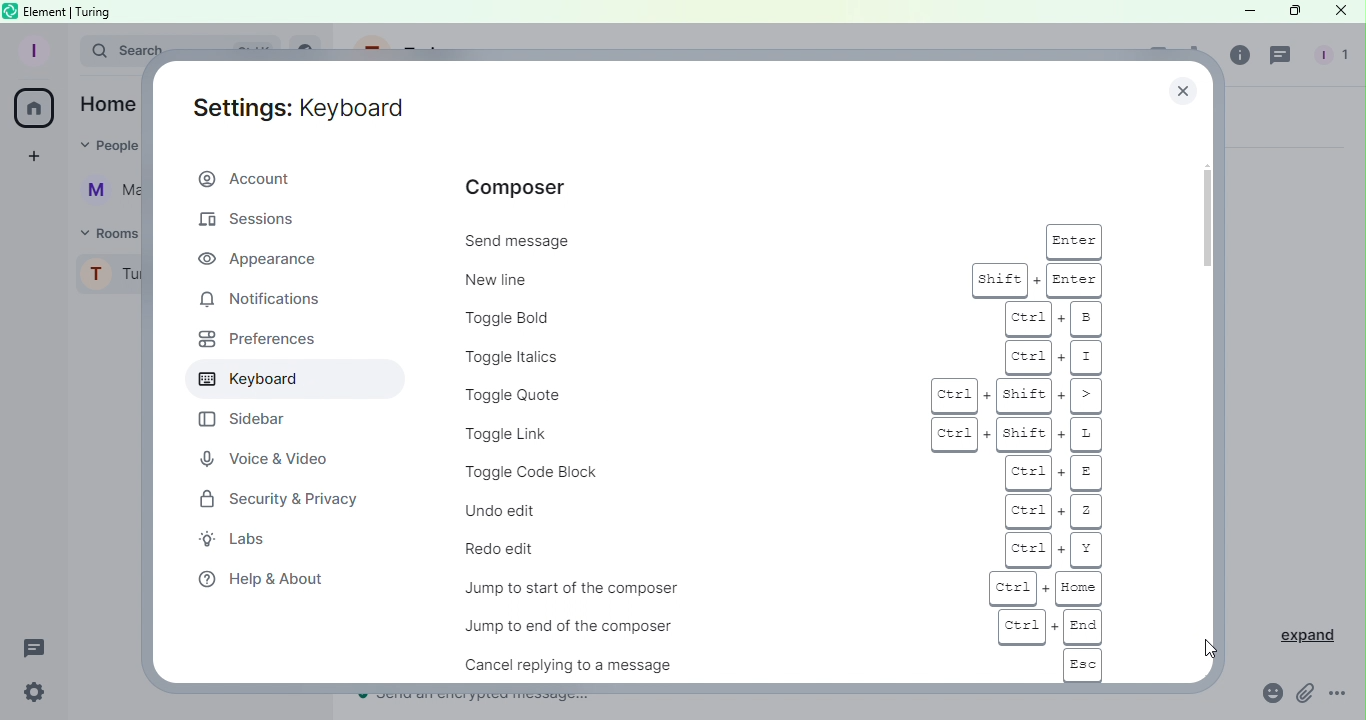 Image resolution: width=1366 pixels, height=720 pixels. What do you see at coordinates (297, 177) in the screenshot?
I see `Account` at bounding box center [297, 177].